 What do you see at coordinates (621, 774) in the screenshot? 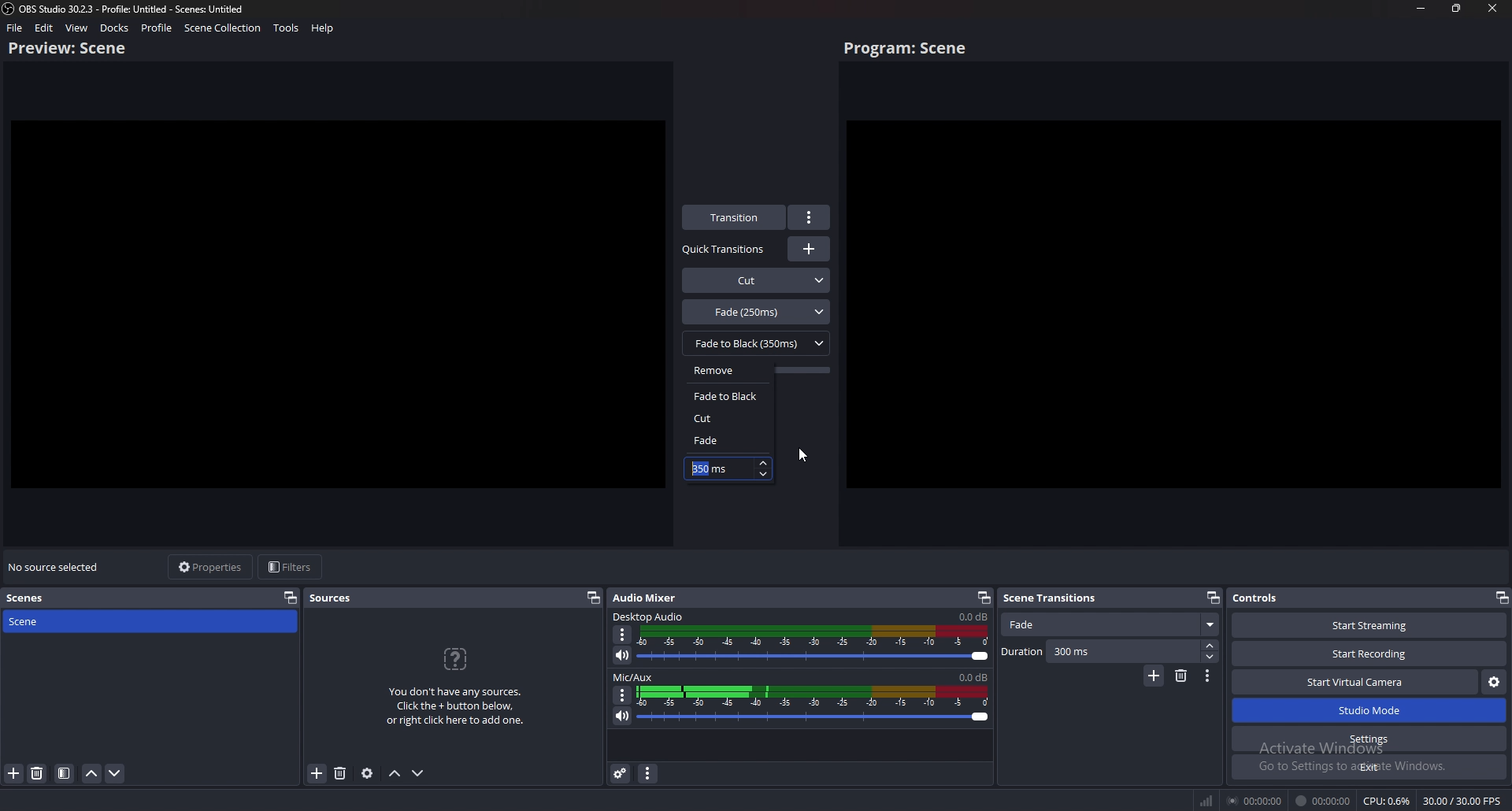
I see `advanced audio properties` at bounding box center [621, 774].